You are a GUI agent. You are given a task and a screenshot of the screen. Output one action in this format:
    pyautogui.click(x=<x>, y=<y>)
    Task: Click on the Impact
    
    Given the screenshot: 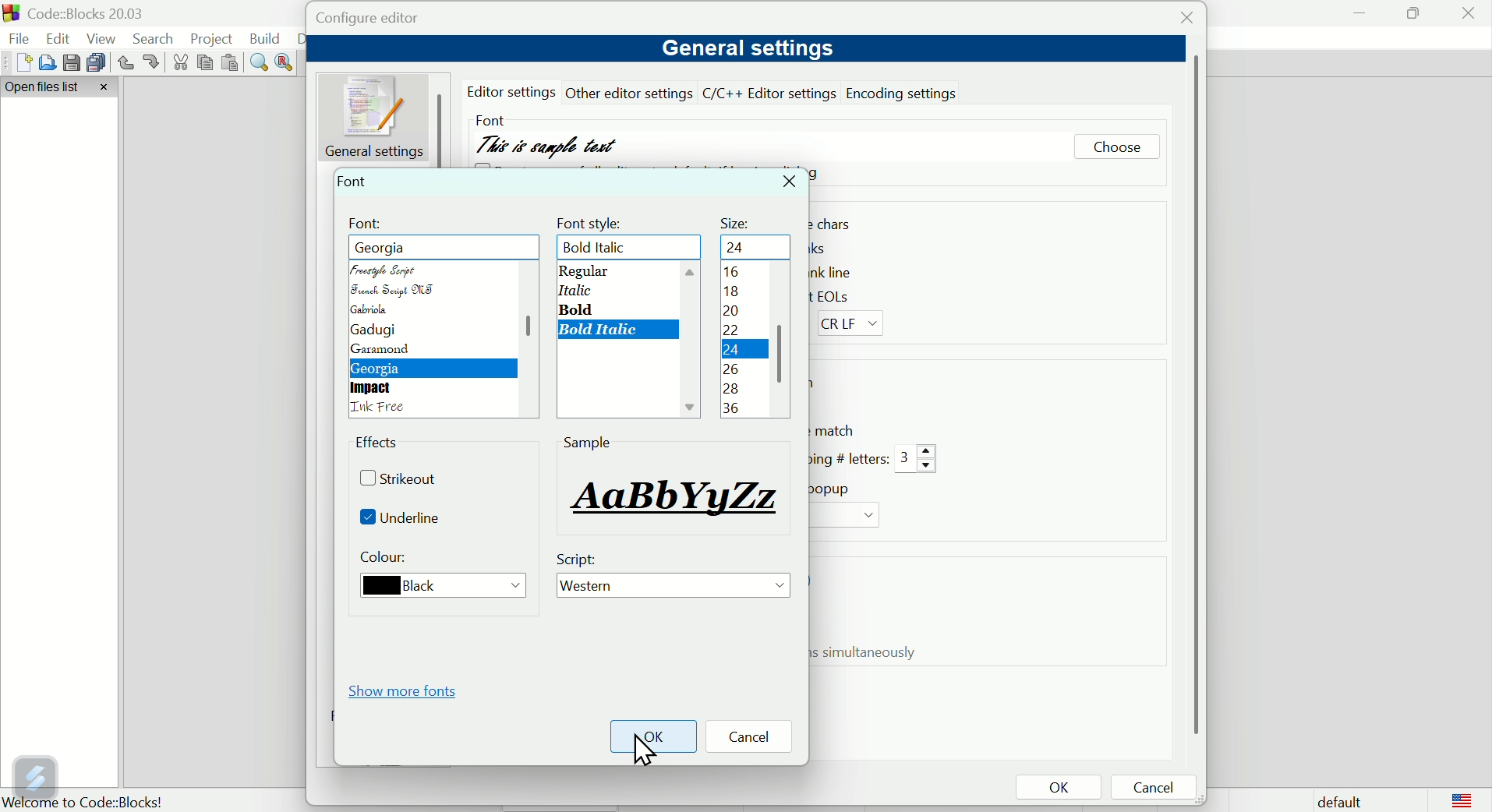 What is the action you would take?
    pyautogui.click(x=373, y=388)
    